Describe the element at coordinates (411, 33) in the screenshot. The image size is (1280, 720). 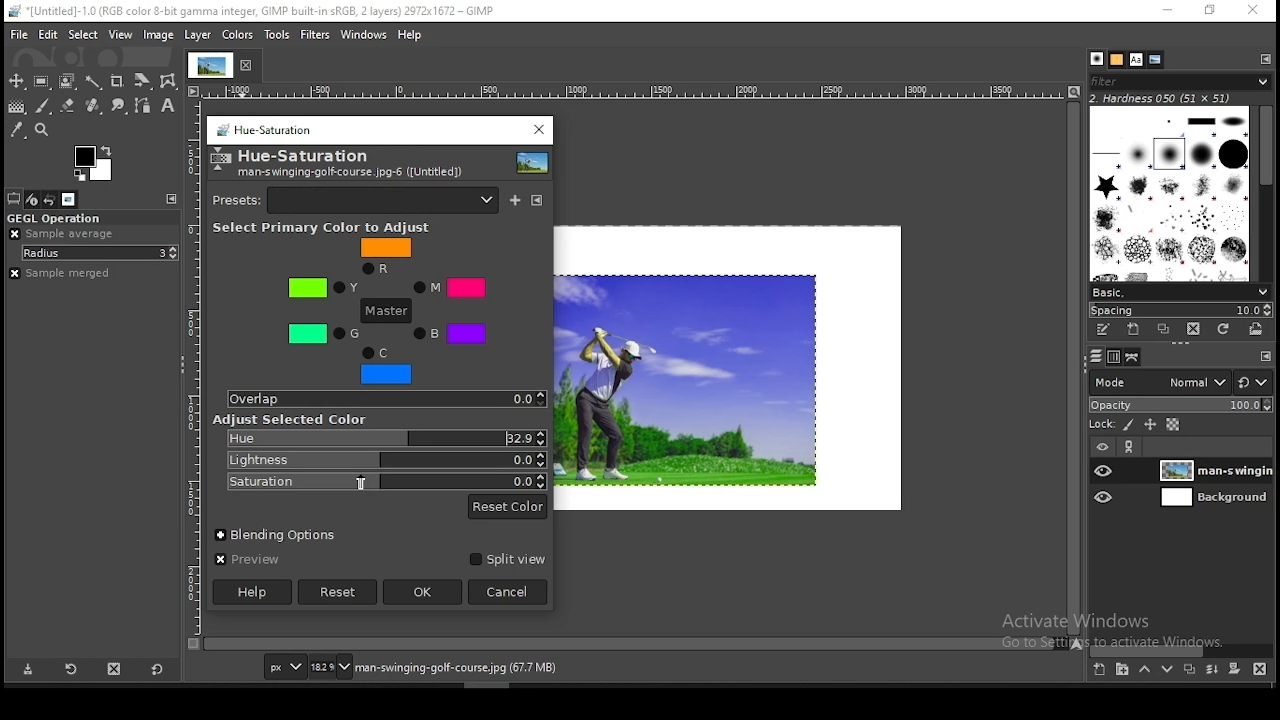
I see `help` at that location.